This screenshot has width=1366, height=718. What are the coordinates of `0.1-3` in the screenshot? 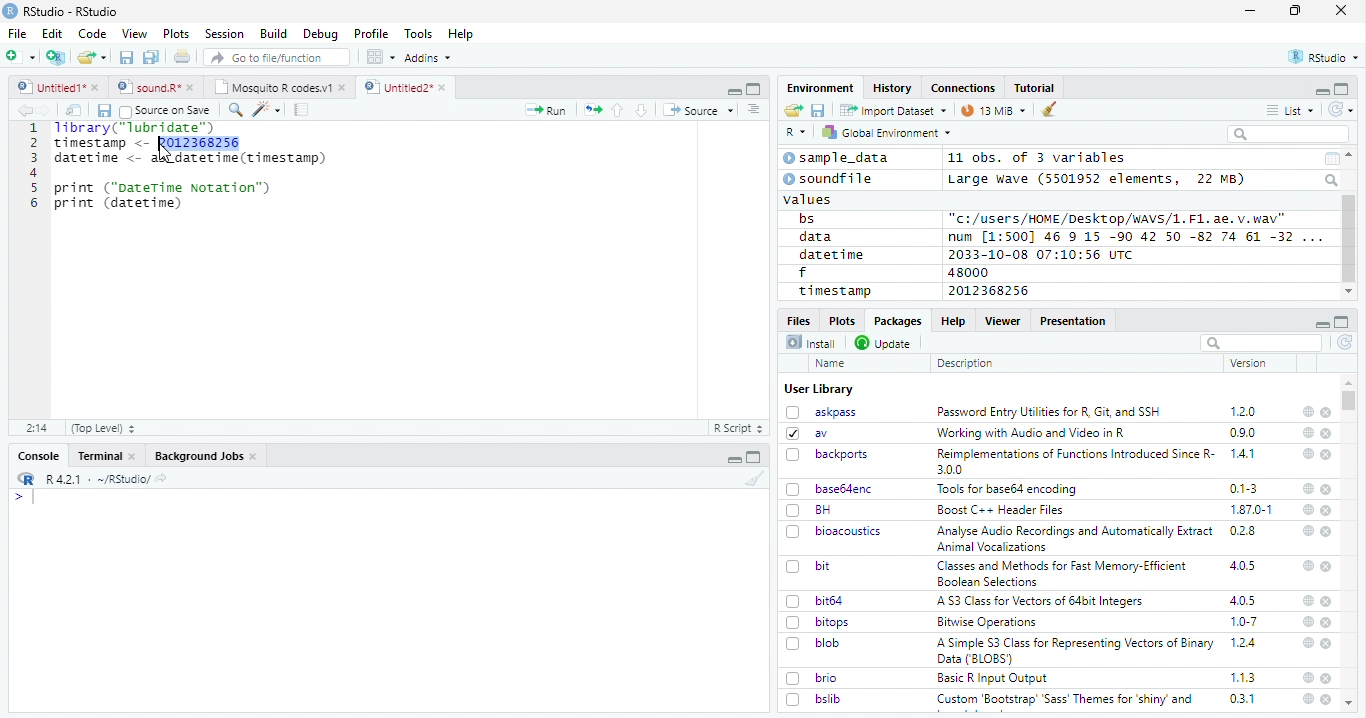 It's located at (1247, 488).